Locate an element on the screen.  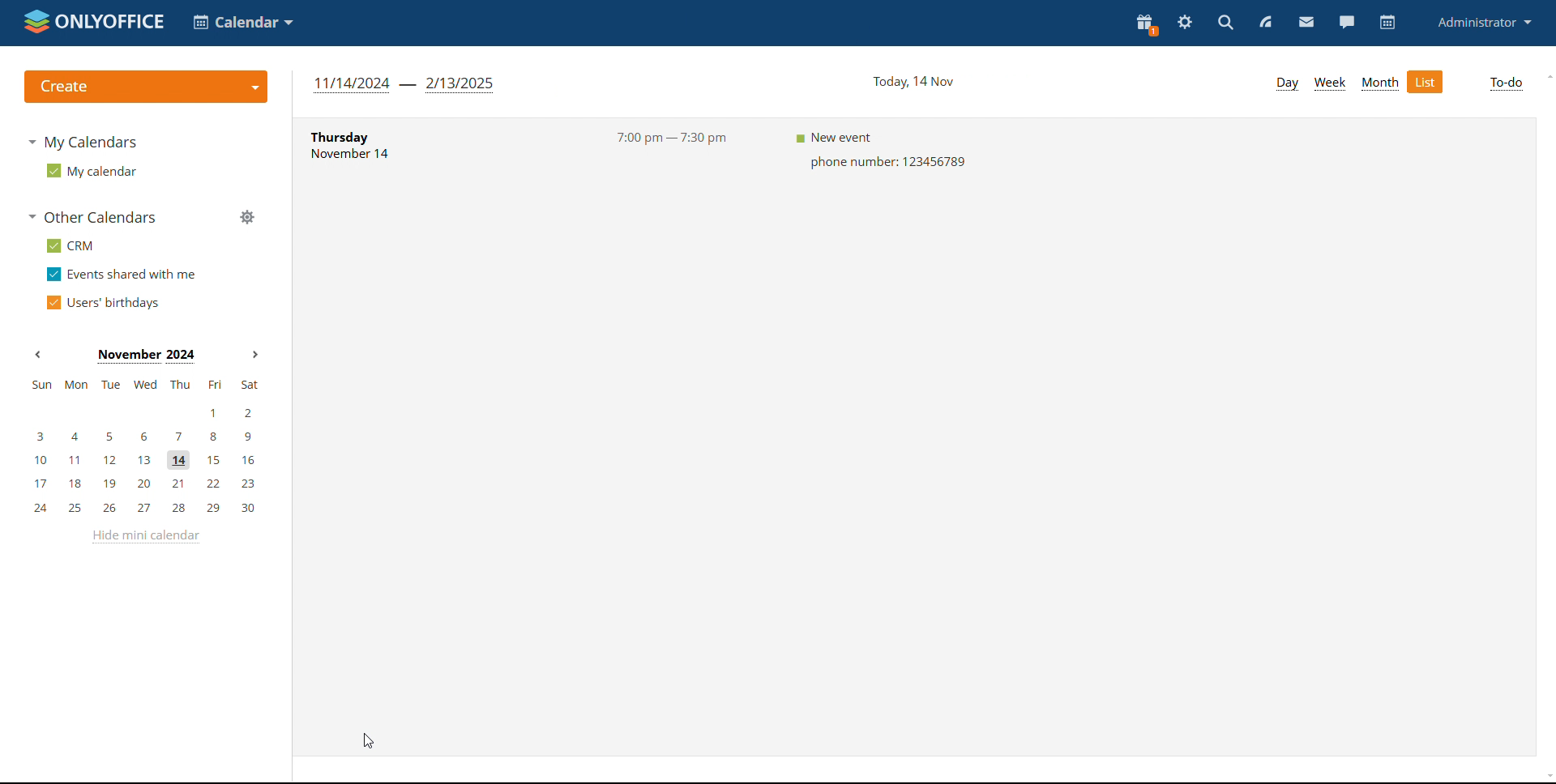
my calendar is located at coordinates (92, 170).